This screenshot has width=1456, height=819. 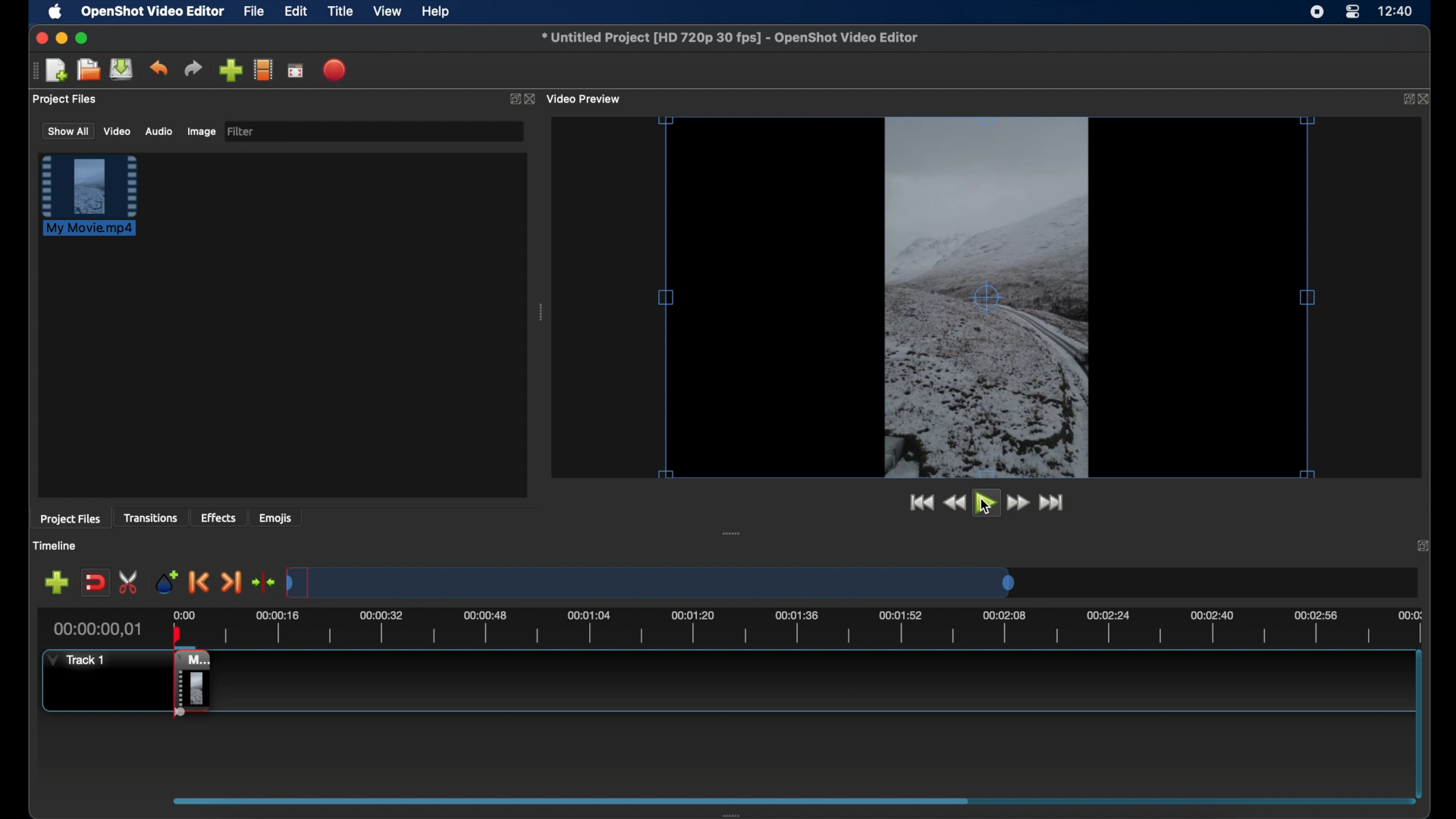 What do you see at coordinates (39, 38) in the screenshot?
I see `close` at bounding box center [39, 38].